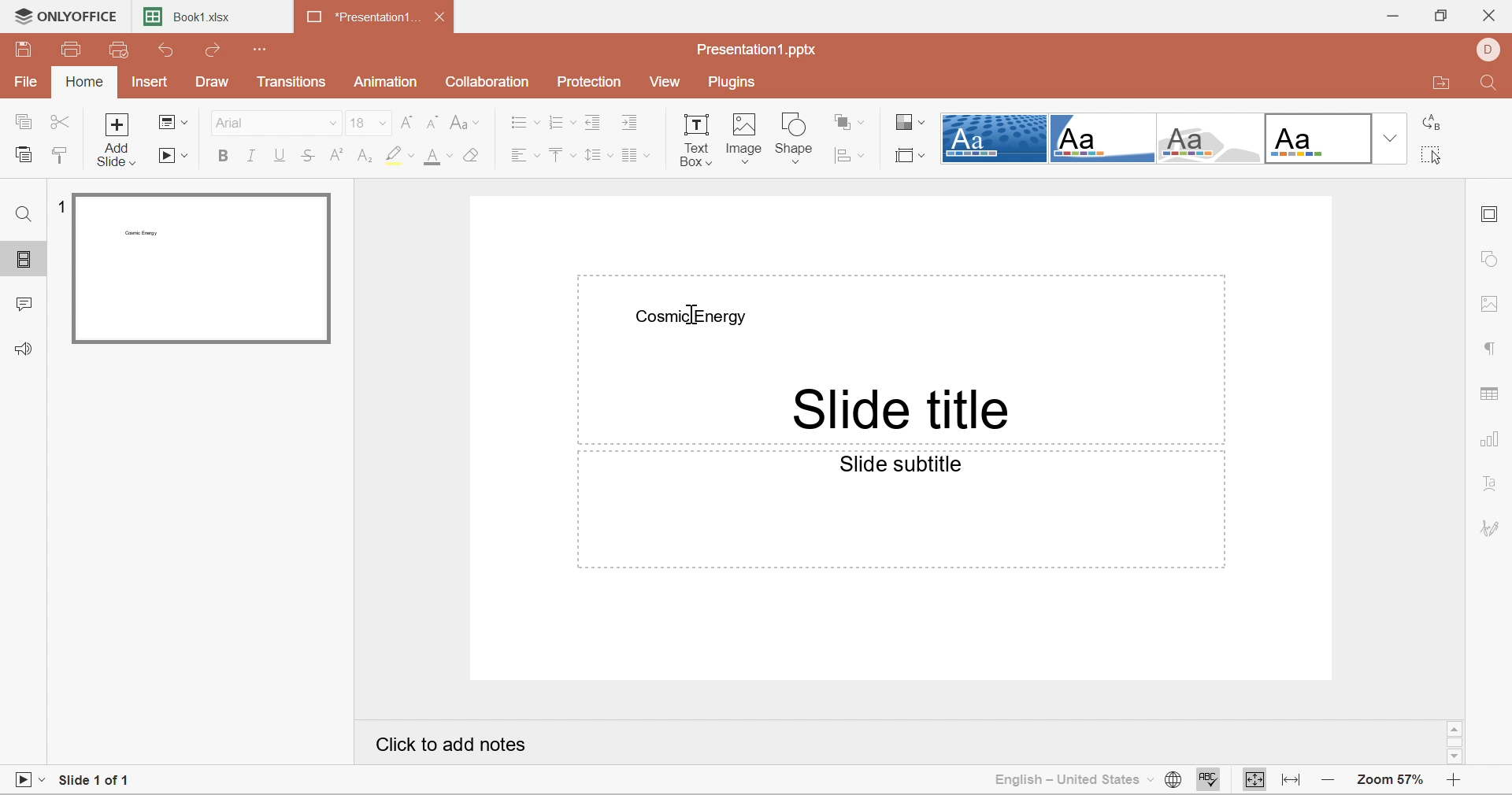 This screenshot has width=1512, height=795. What do you see at coordinates (639, 157) in the screenshot?
I see `Insert columns` at bounding box center [639, 157].